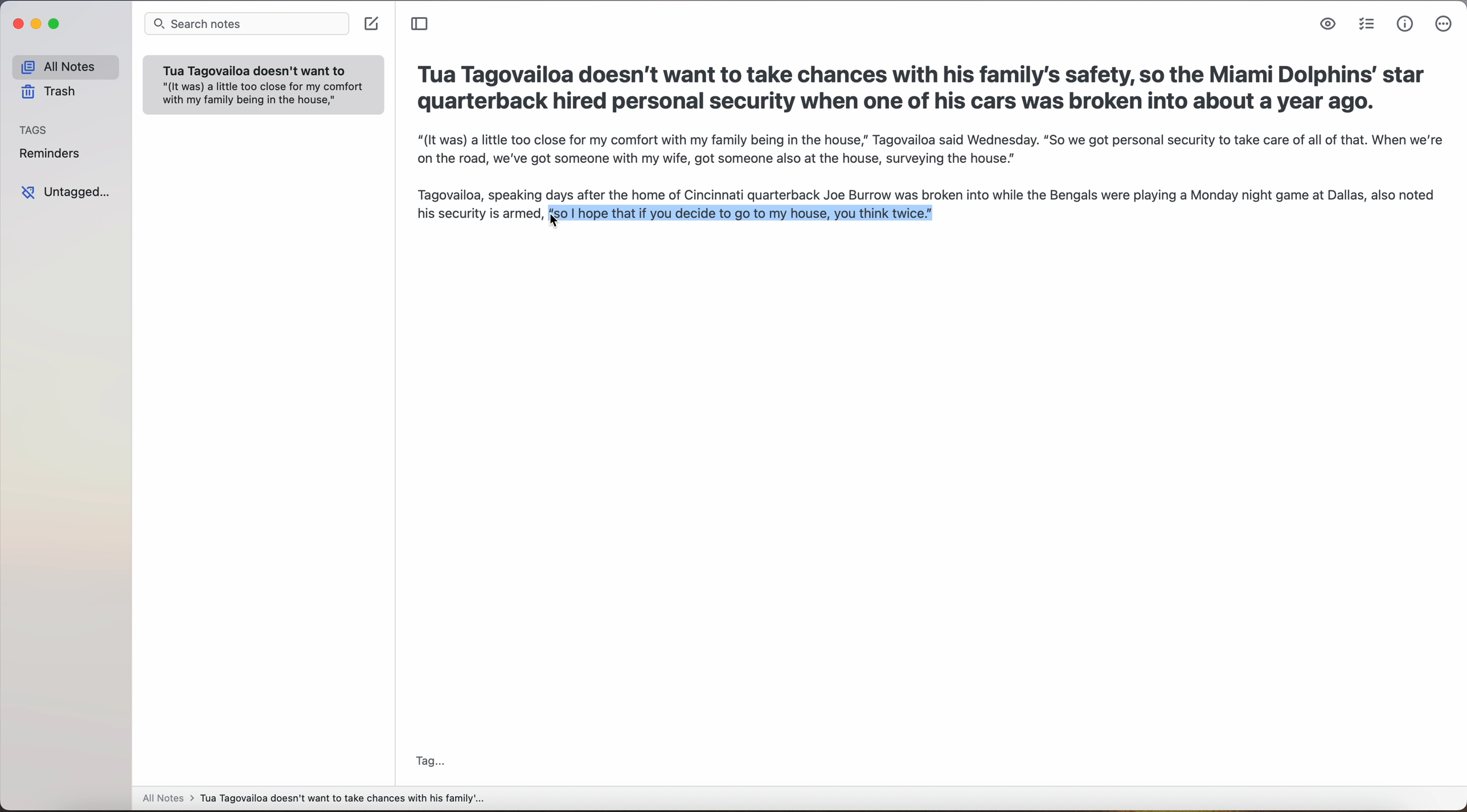 The height and width of the screenshot is (812, 1467). I want to click on trash, so click(53, 93).